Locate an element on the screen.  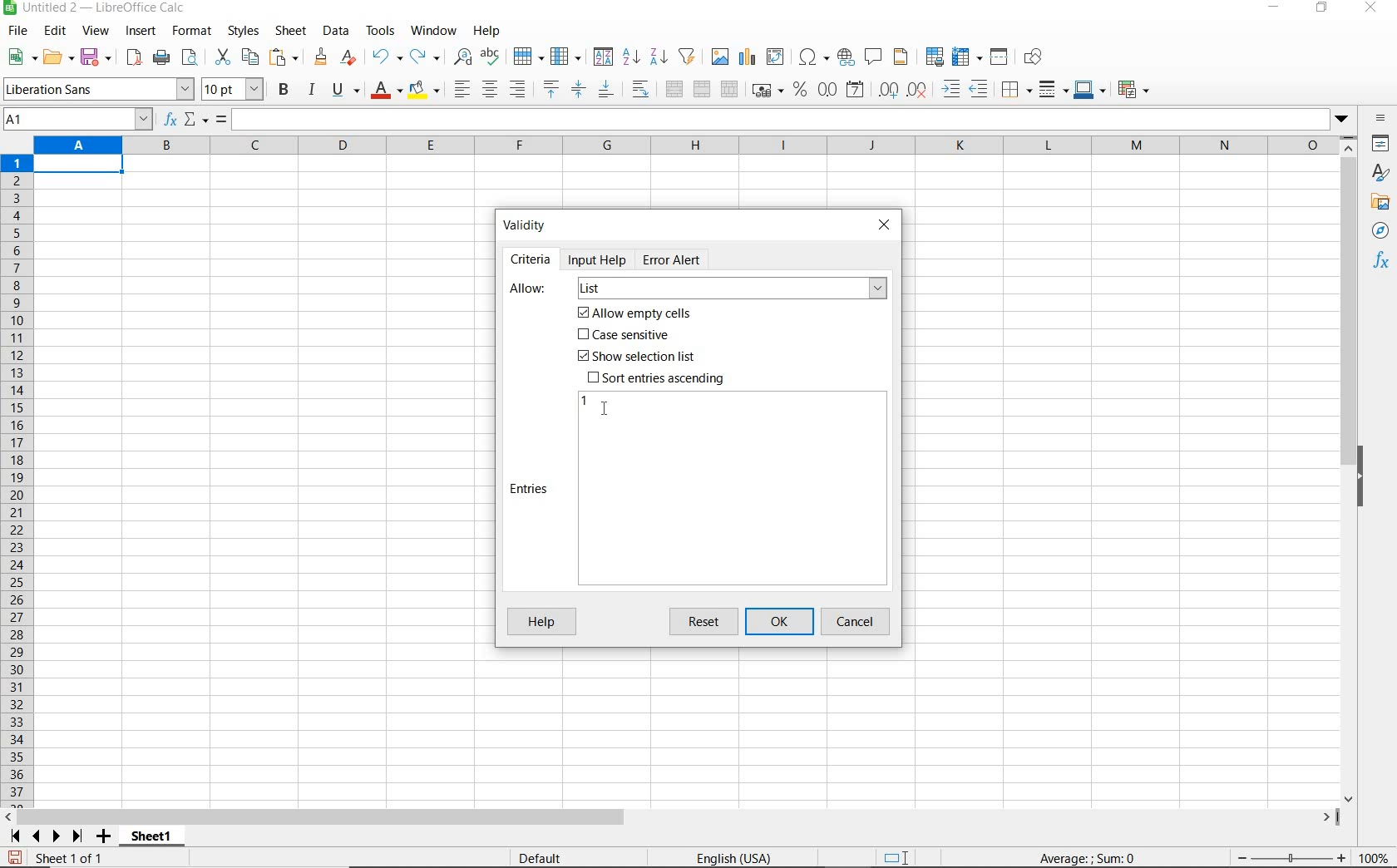
insert comment  is located at coordinates (874, 57).